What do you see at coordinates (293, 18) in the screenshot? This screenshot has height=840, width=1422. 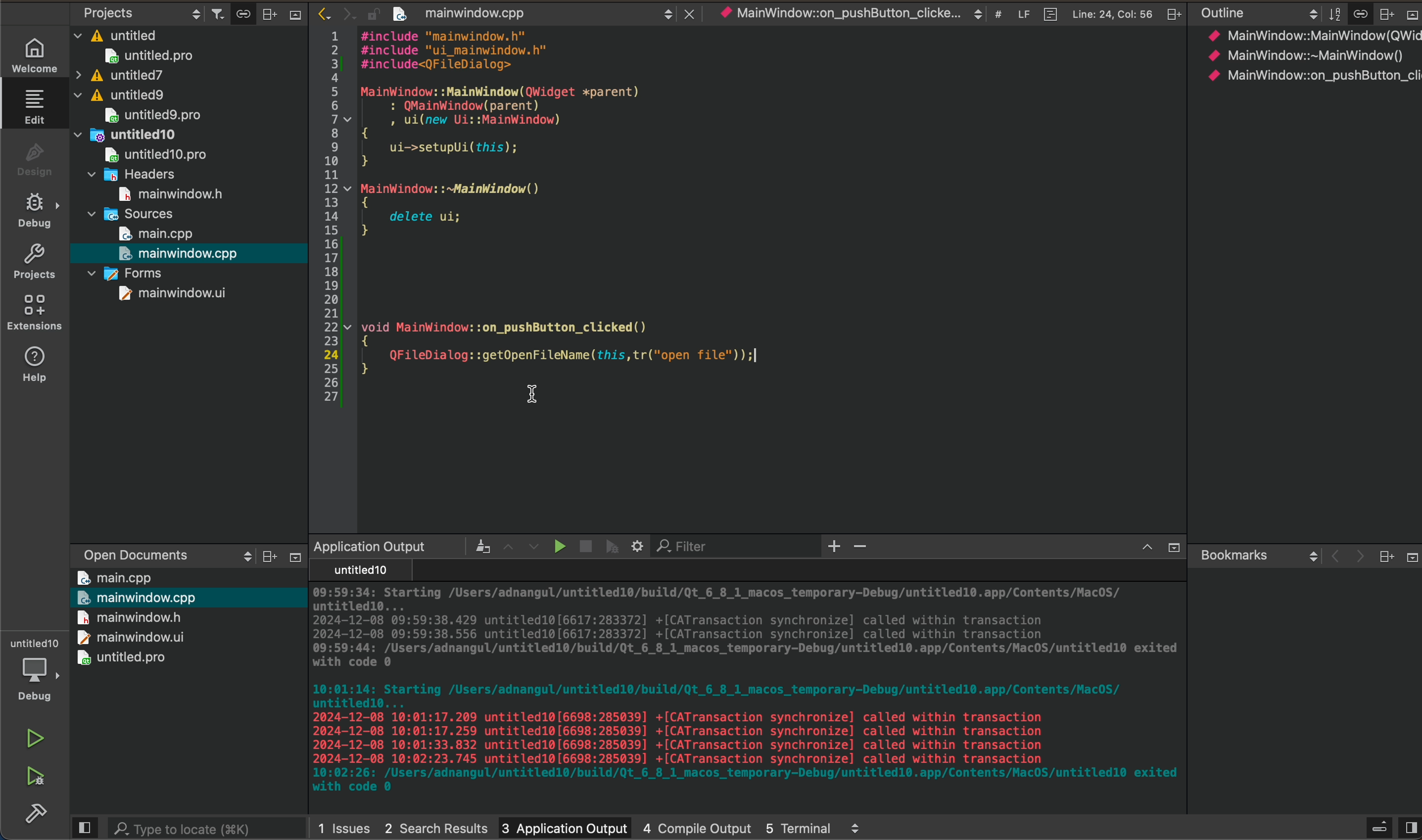 I see `` at bounding box center [293, 18].